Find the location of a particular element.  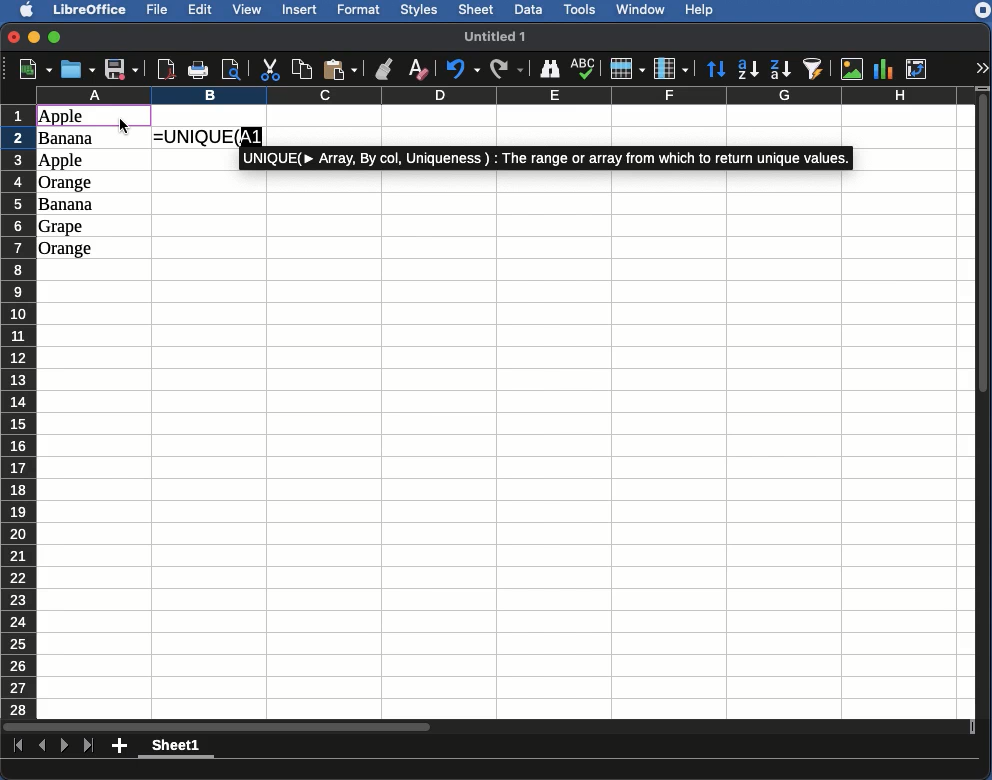

Orange is located at coordinates (66, 249).